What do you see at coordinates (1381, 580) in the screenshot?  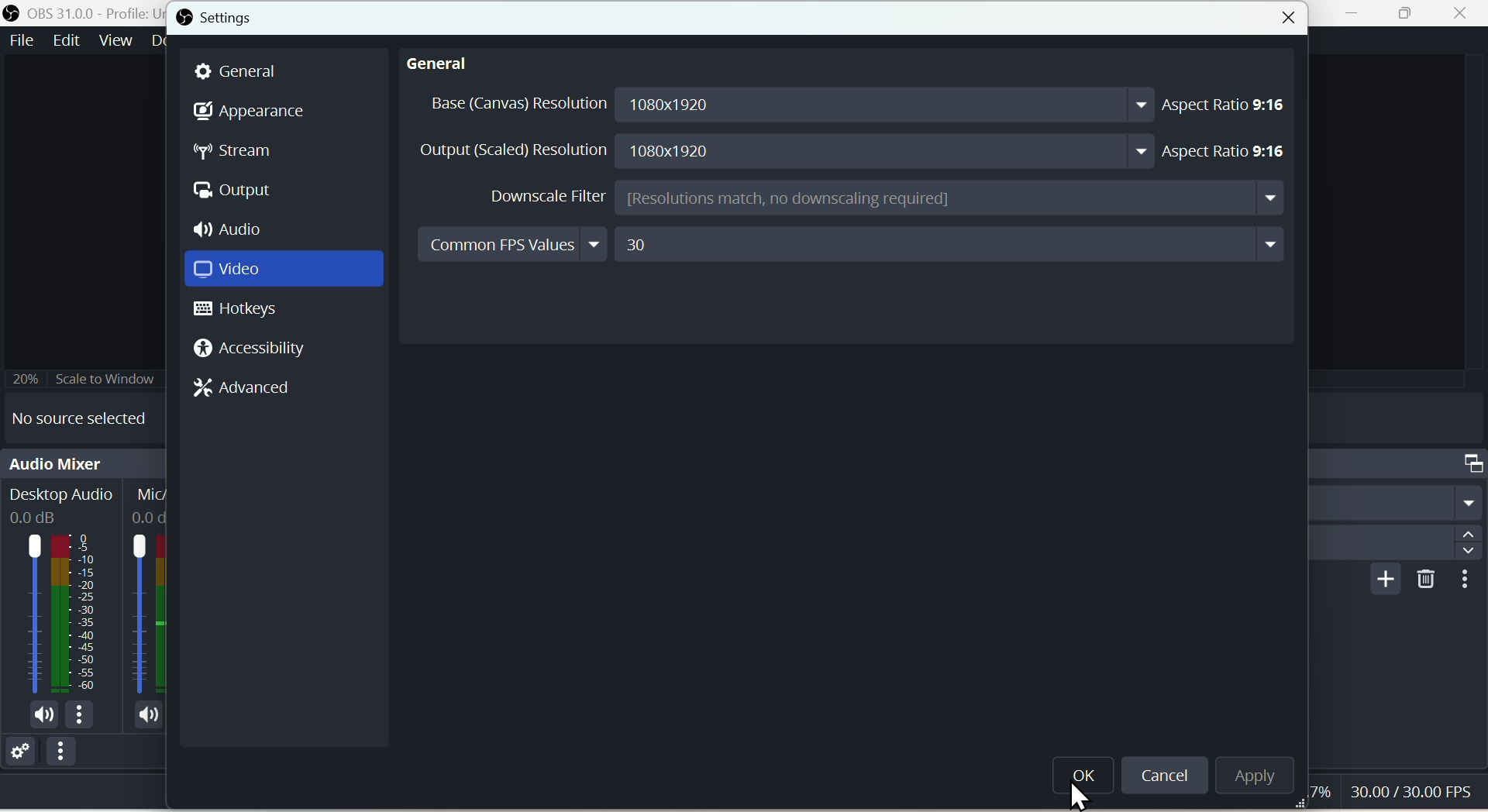 I see `Add` at bounding box center [1381, 580].